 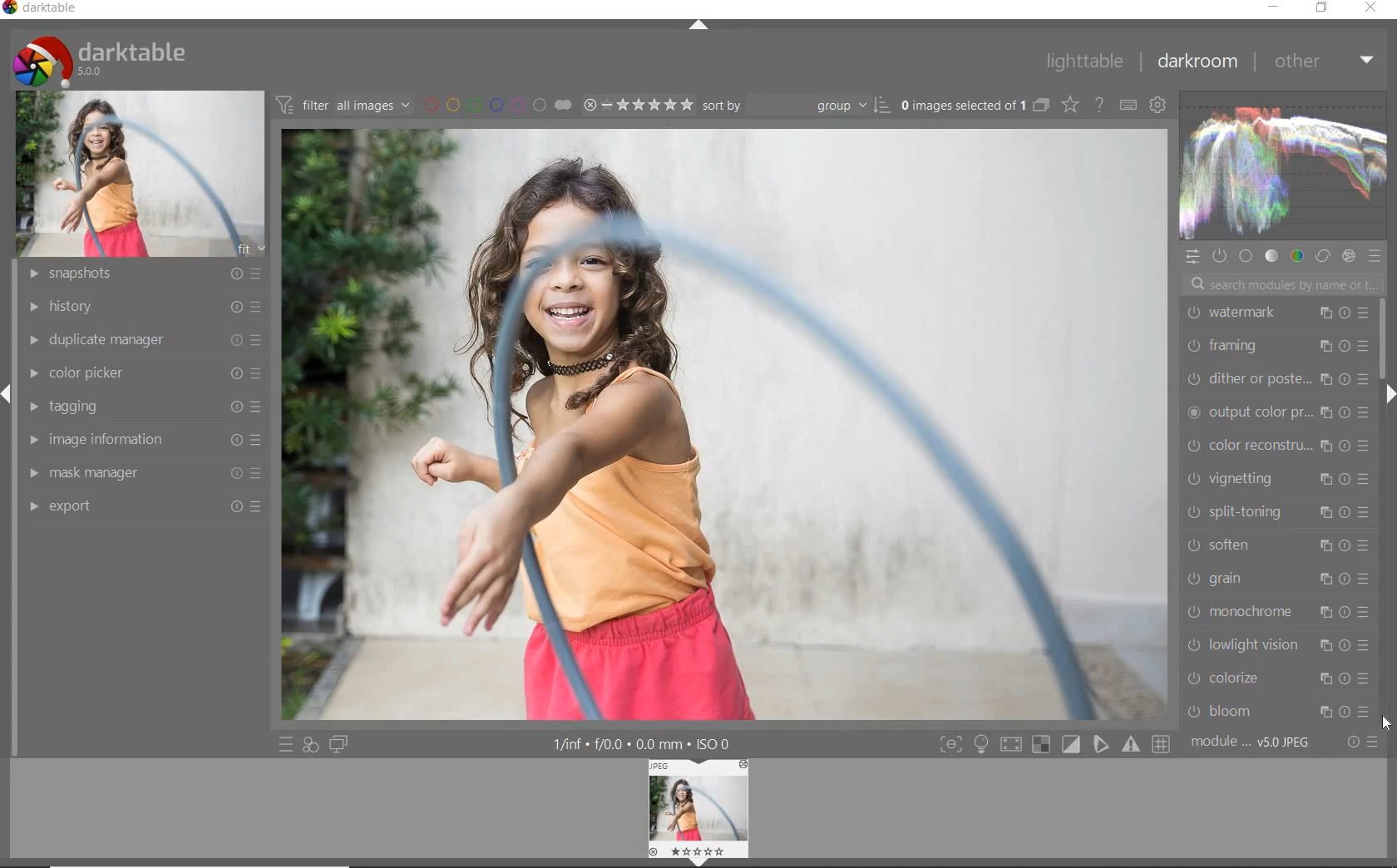 What do you see at coordinates (1387, 725) in the screenshot?
I see `CURSOR` at bounding box center [1387, 725].